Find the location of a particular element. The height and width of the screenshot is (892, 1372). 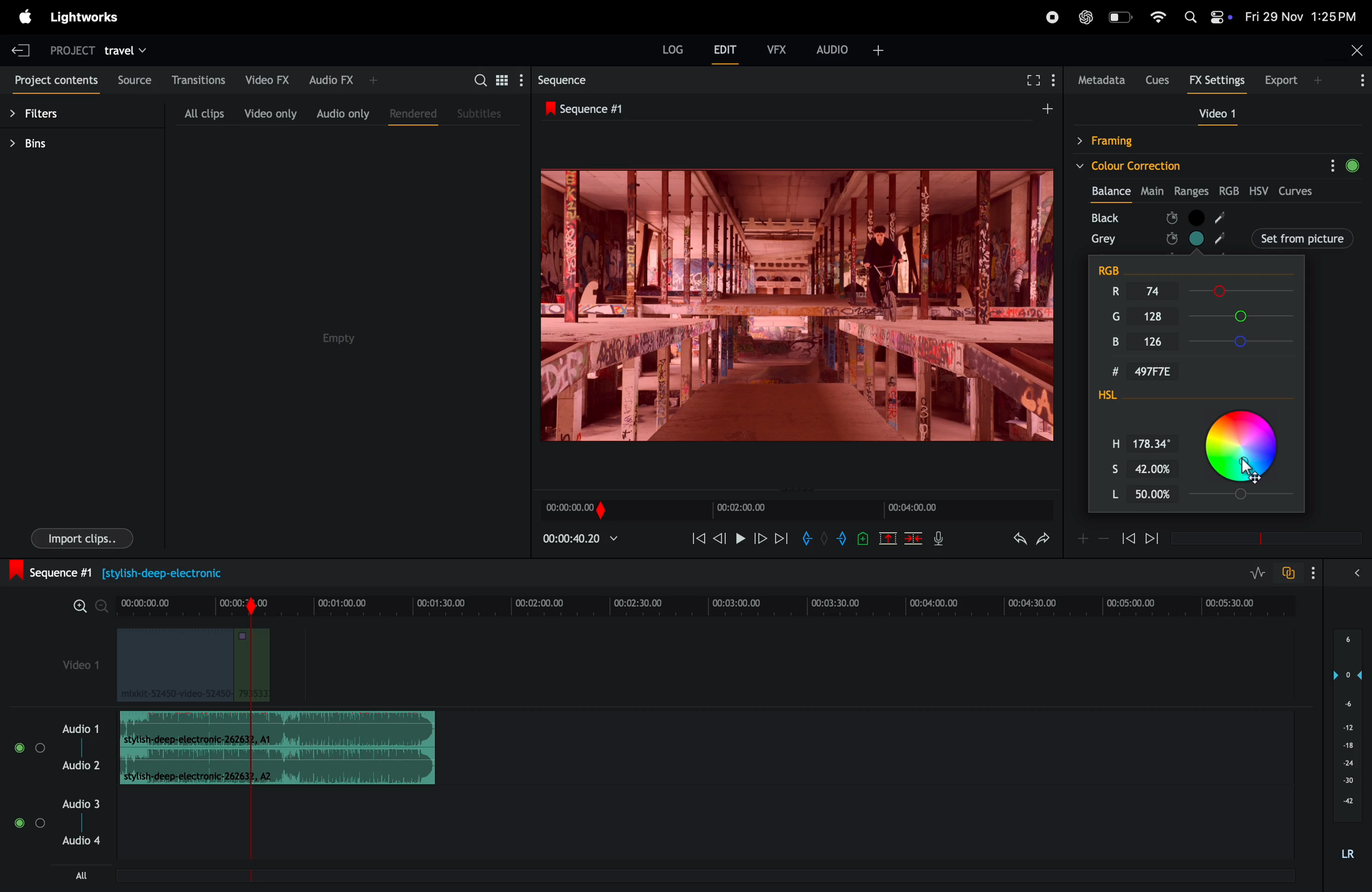

G Slider is located at coordinates (1245, 316).